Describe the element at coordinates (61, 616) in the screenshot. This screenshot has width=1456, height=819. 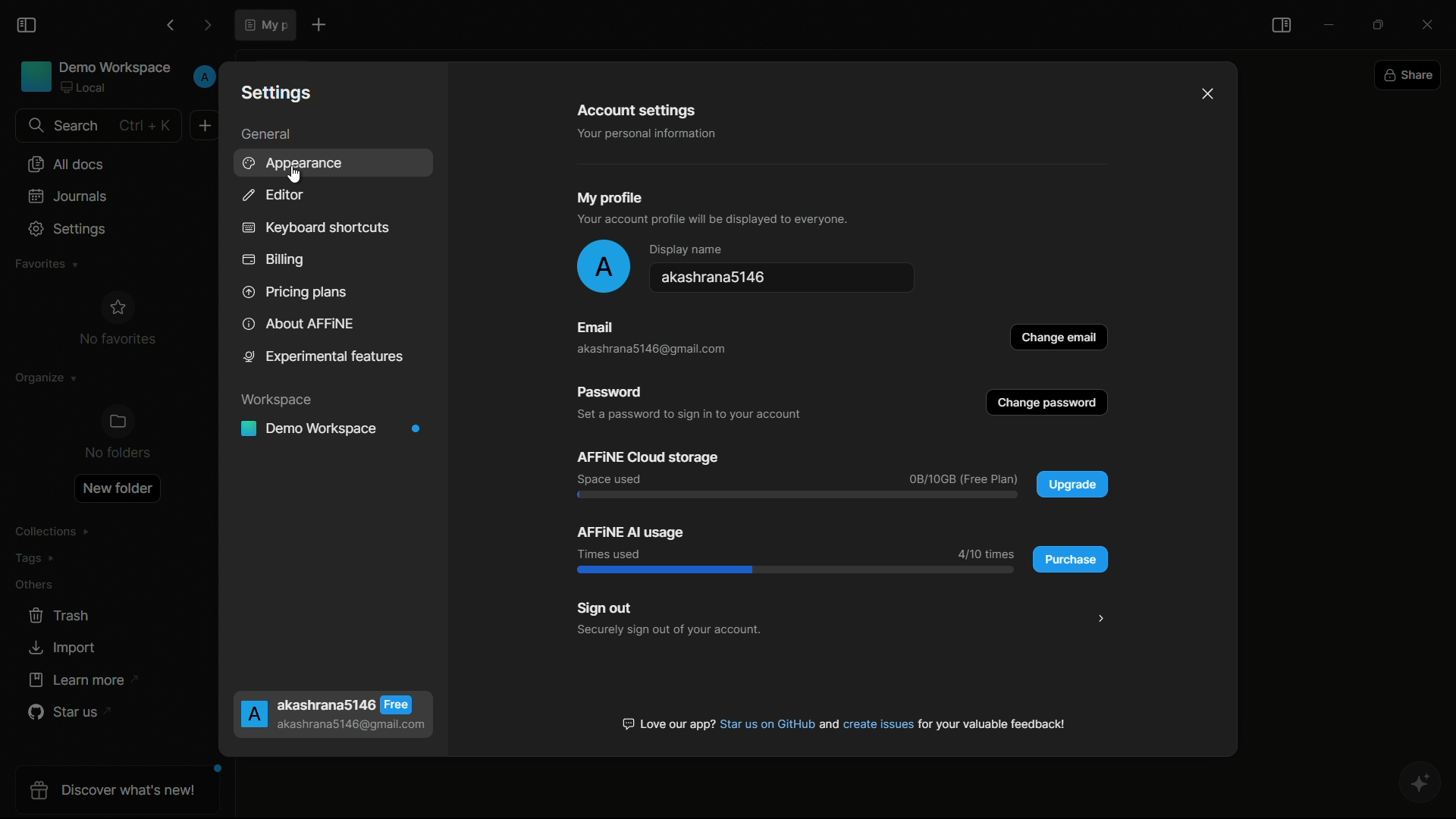
I see `trash` at that location.